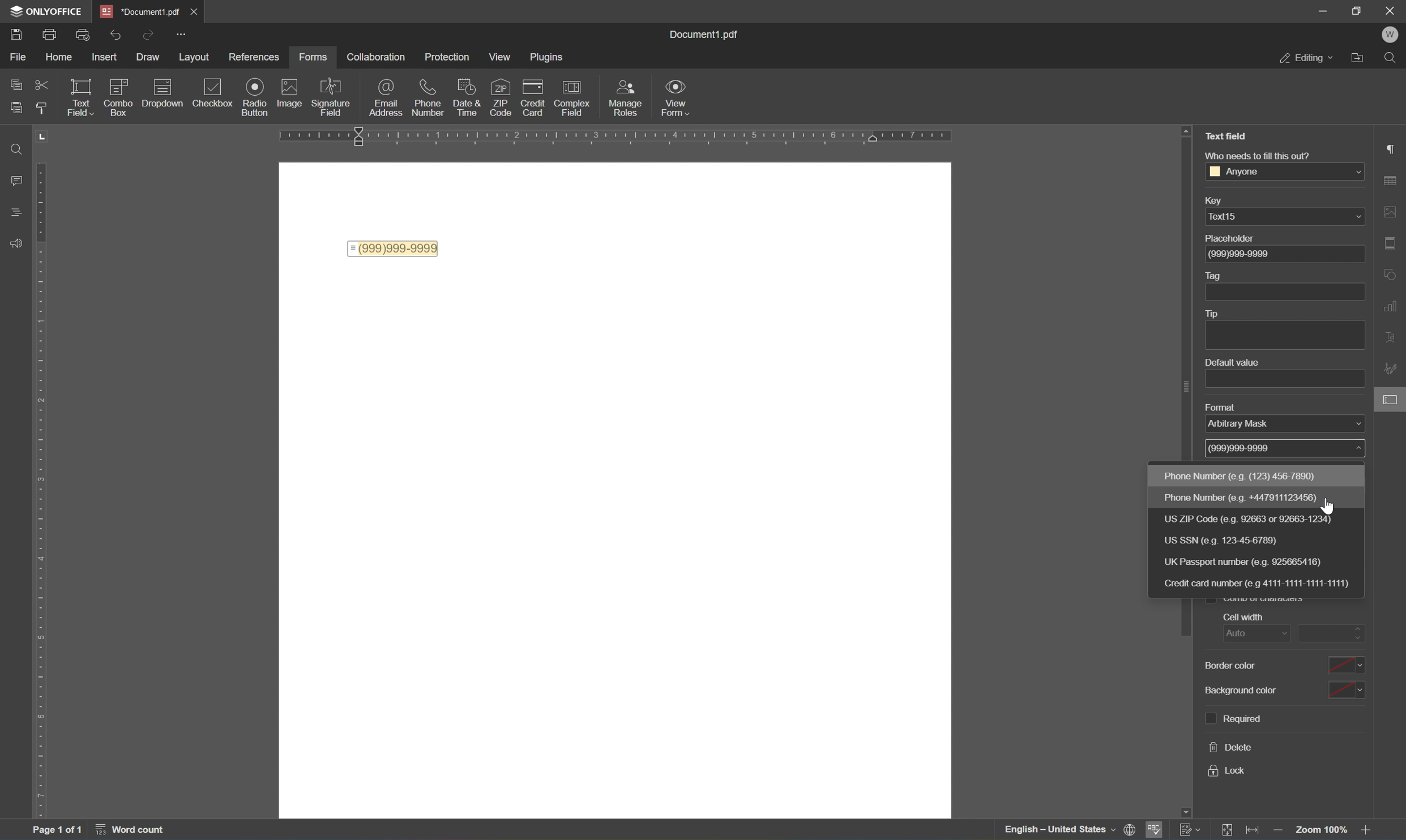 The width and height of the screenshot is (1406, 840). I want to click on view form, so click(676, 96).